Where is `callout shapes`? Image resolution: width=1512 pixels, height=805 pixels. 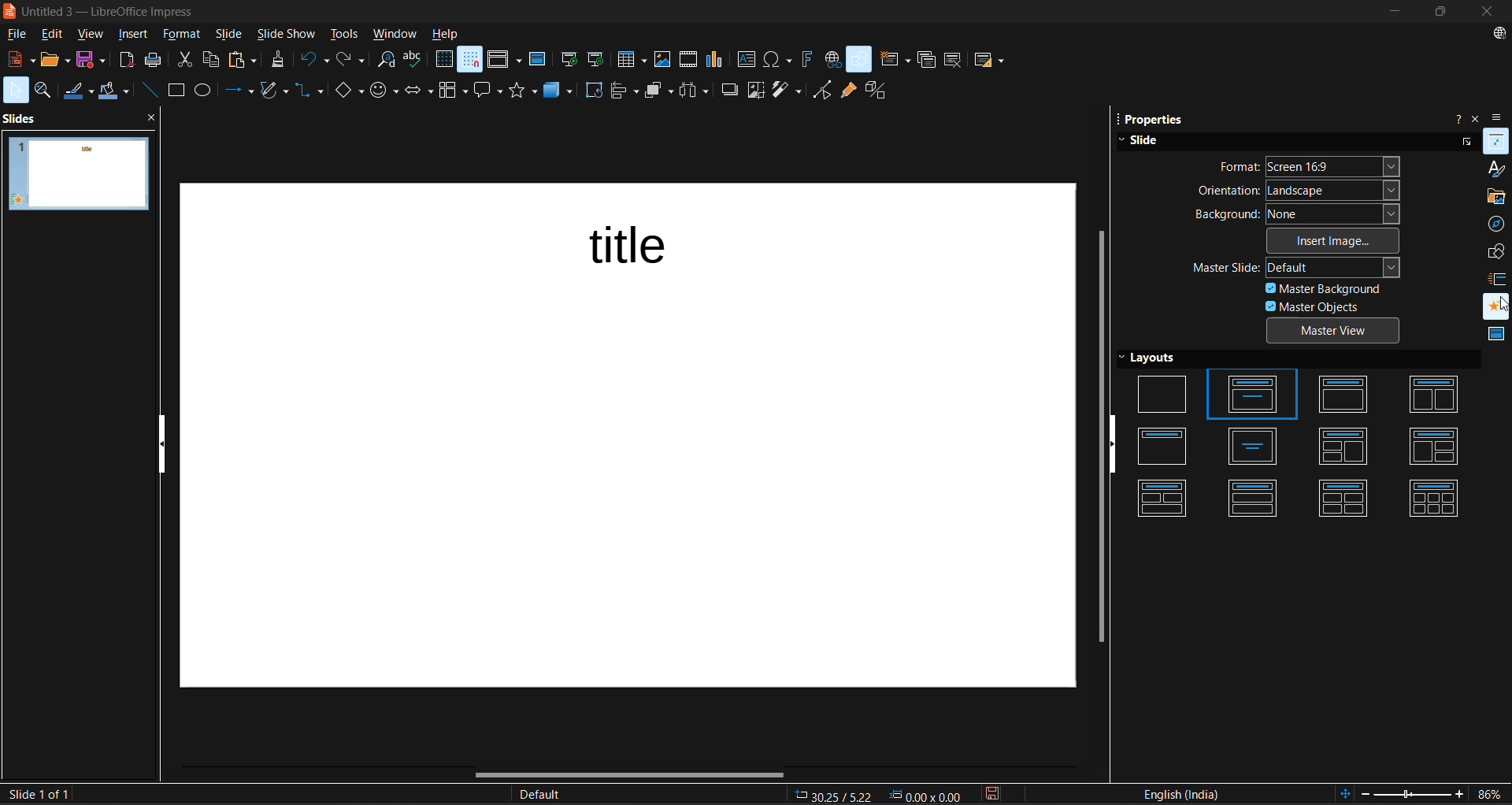
callout shapes is located at coordinates (490, 91).